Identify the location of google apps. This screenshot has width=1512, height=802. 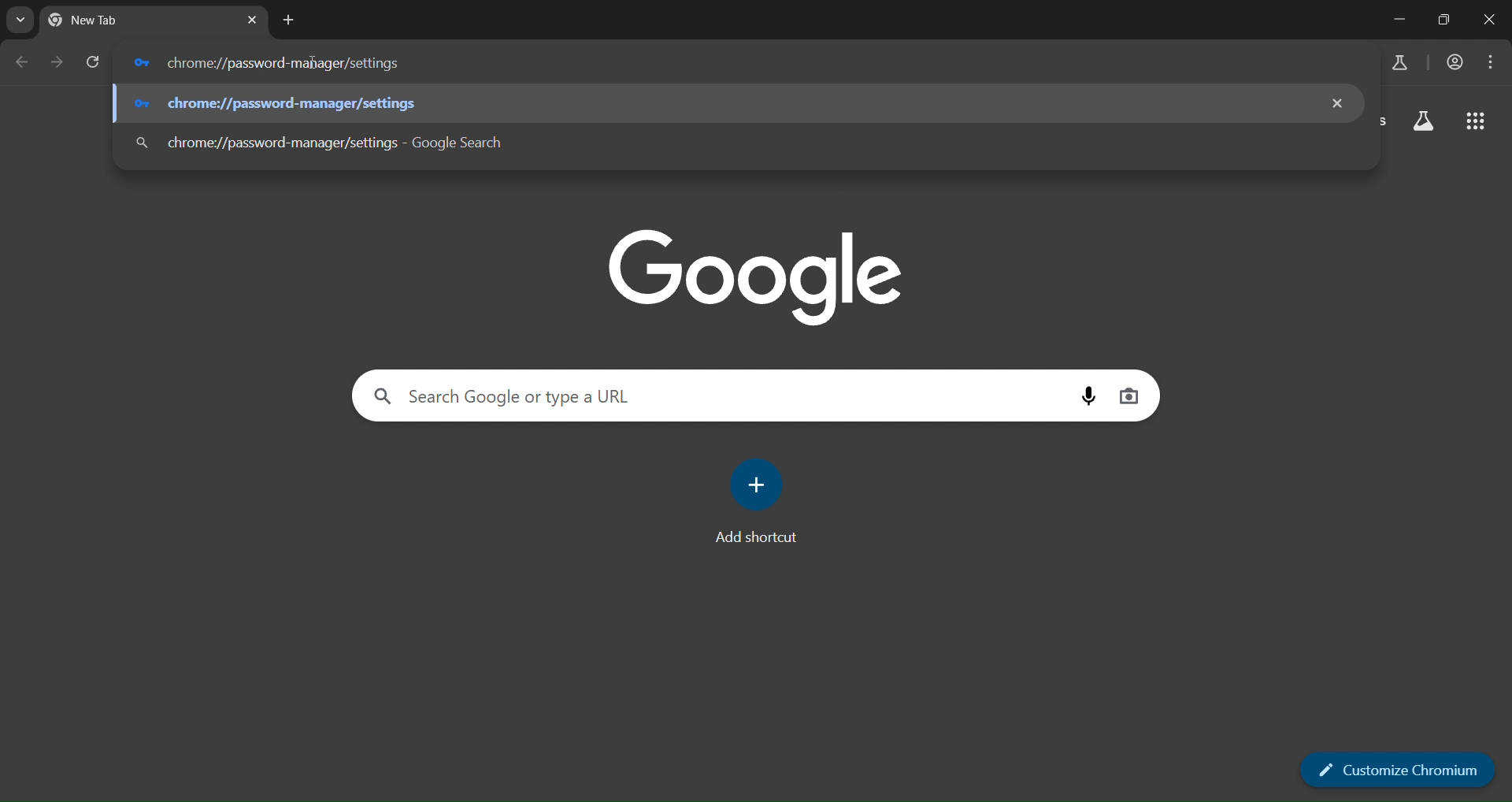
(1425, 123).